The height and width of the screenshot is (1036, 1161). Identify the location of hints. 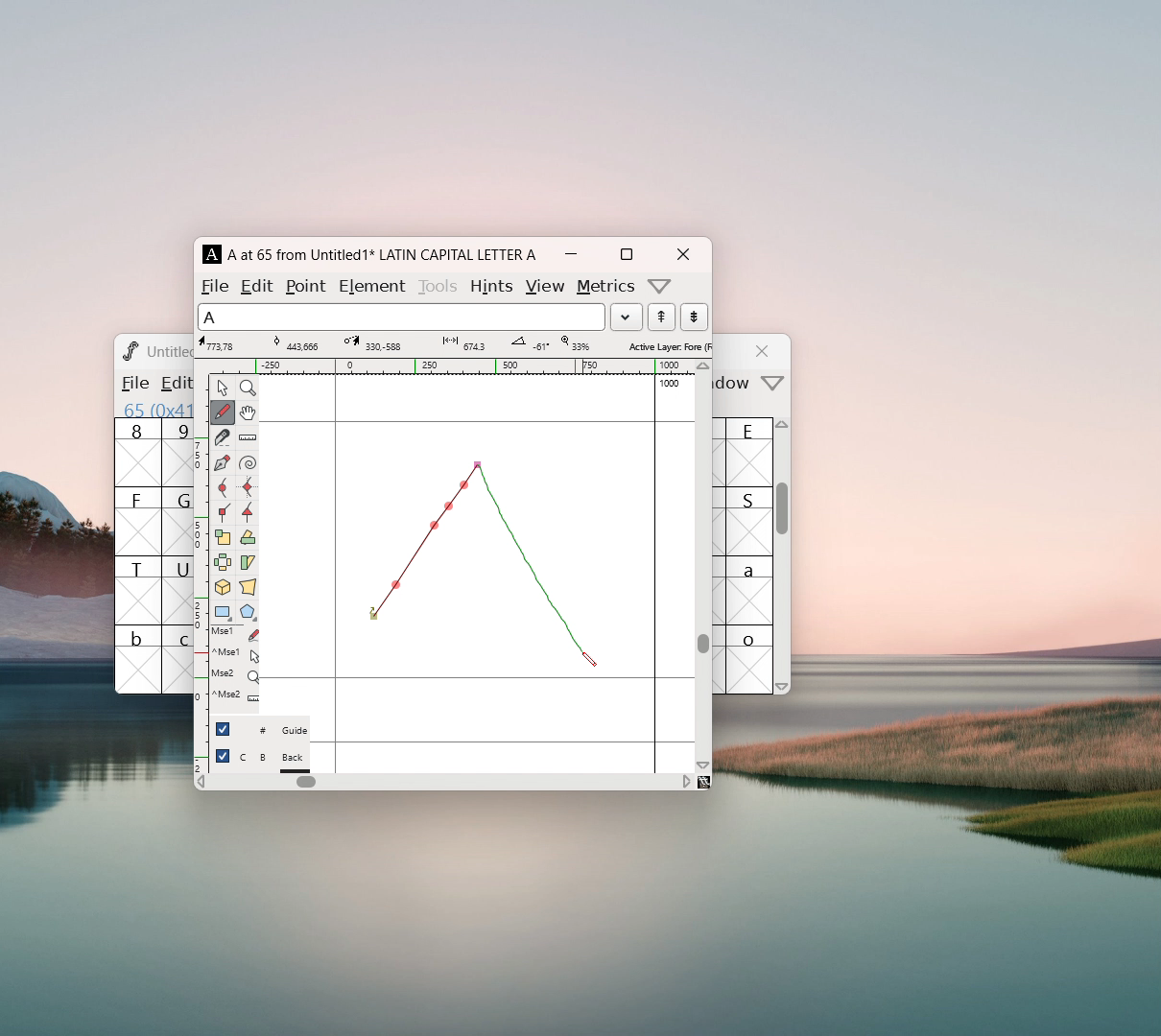
(490, 286).